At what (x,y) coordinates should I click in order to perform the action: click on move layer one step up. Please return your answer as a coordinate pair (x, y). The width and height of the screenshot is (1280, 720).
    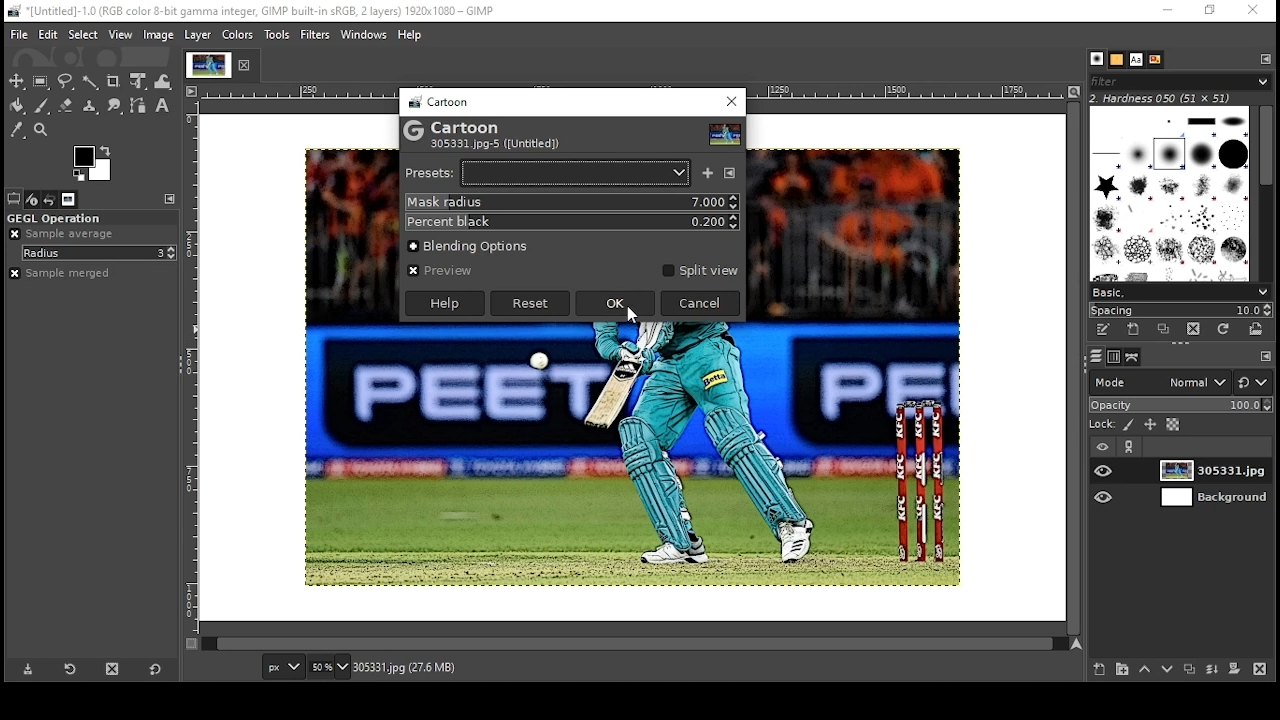
    Looking at the image, I should click on (1145, 670).